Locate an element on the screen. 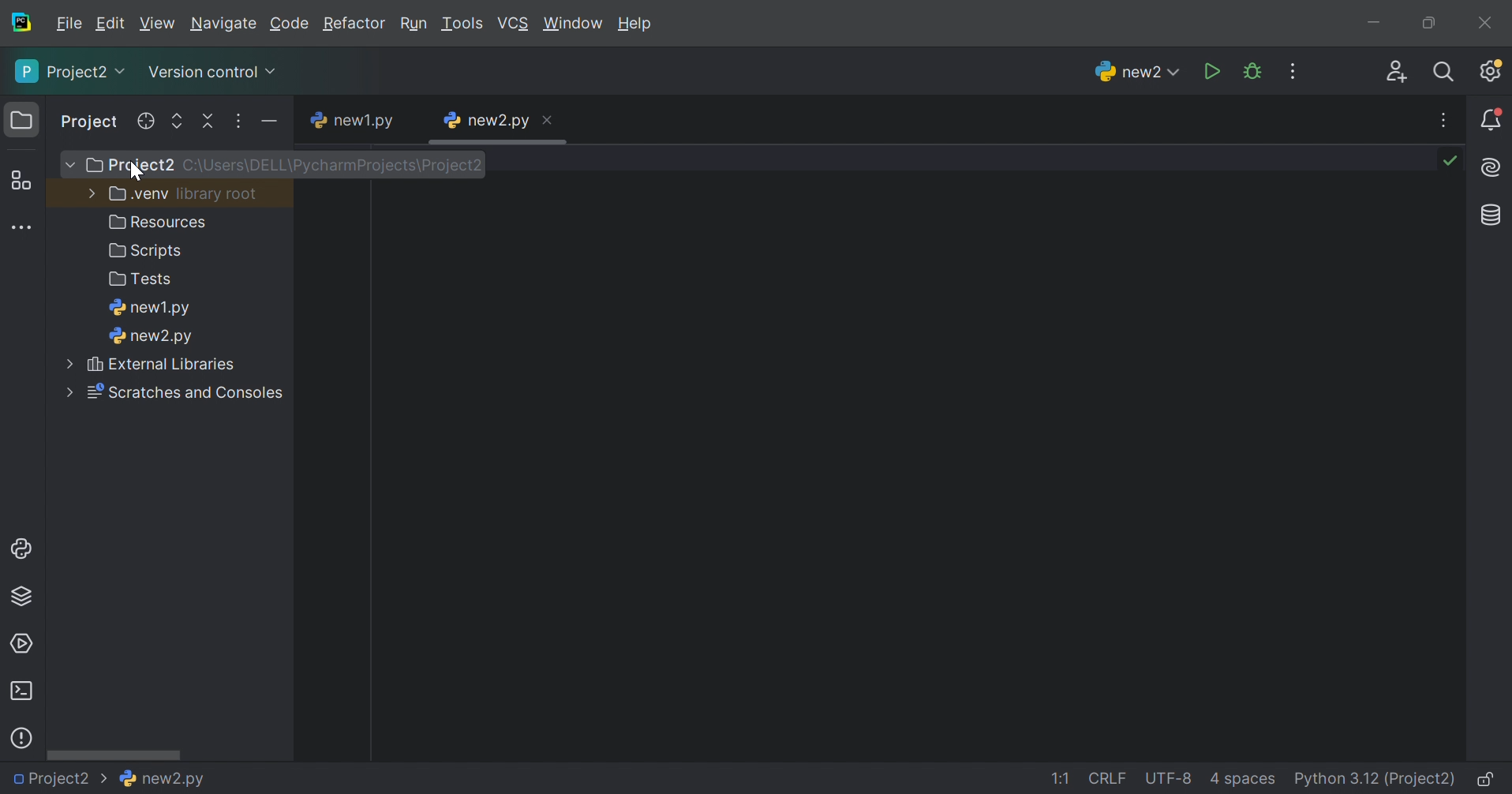 The image size is (1512, 794). VCS is located at coordinates (513, 23).